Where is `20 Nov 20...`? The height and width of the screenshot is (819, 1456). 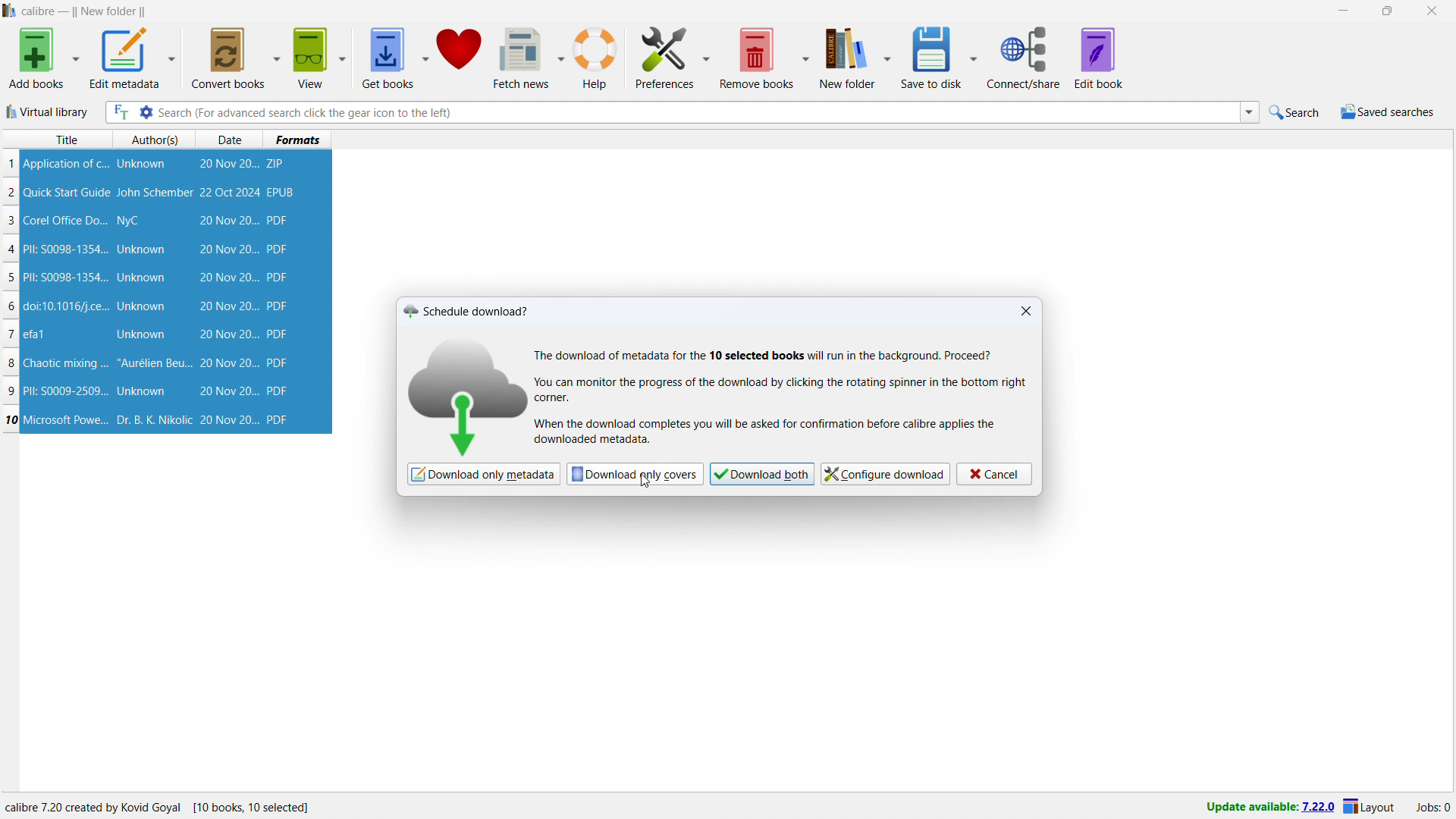
20 Nov 20... is located at coordinates (227, 306).